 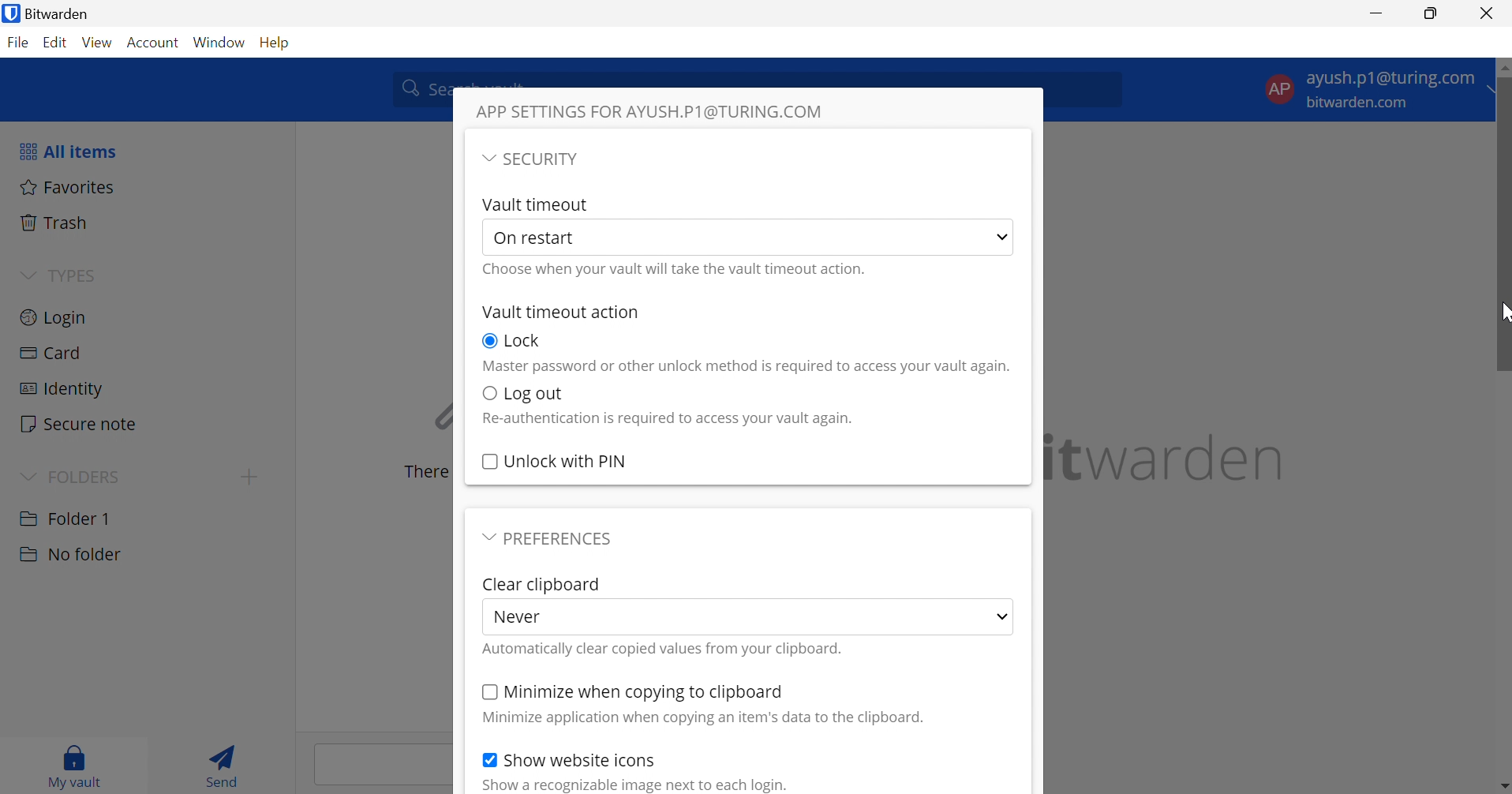 I want to click on Automatically clear copied values from your clipboard., so click(x=663, y=650).